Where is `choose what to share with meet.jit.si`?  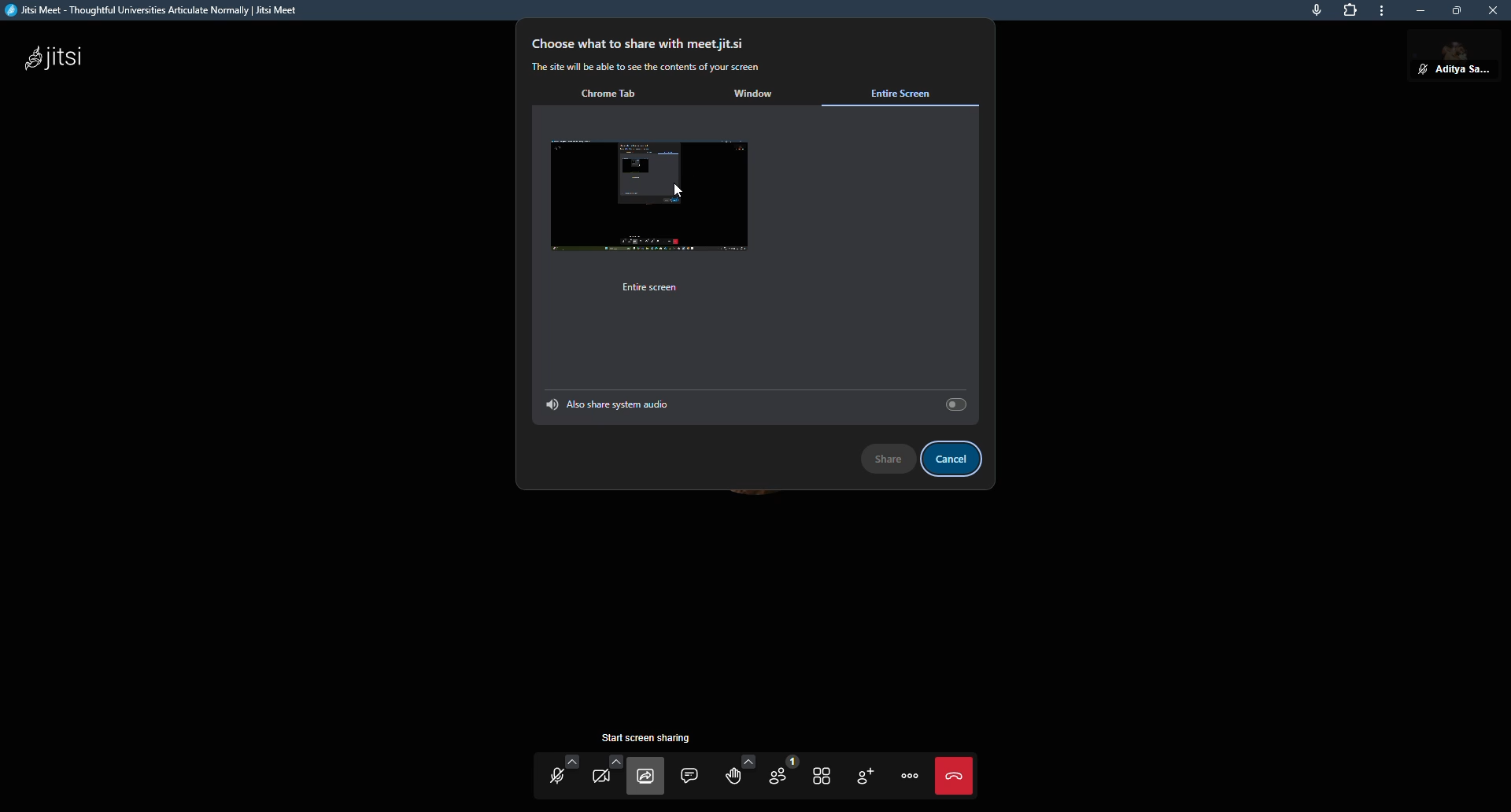
choose what to share with meet.jit.si is located at coordinates (642, 42).